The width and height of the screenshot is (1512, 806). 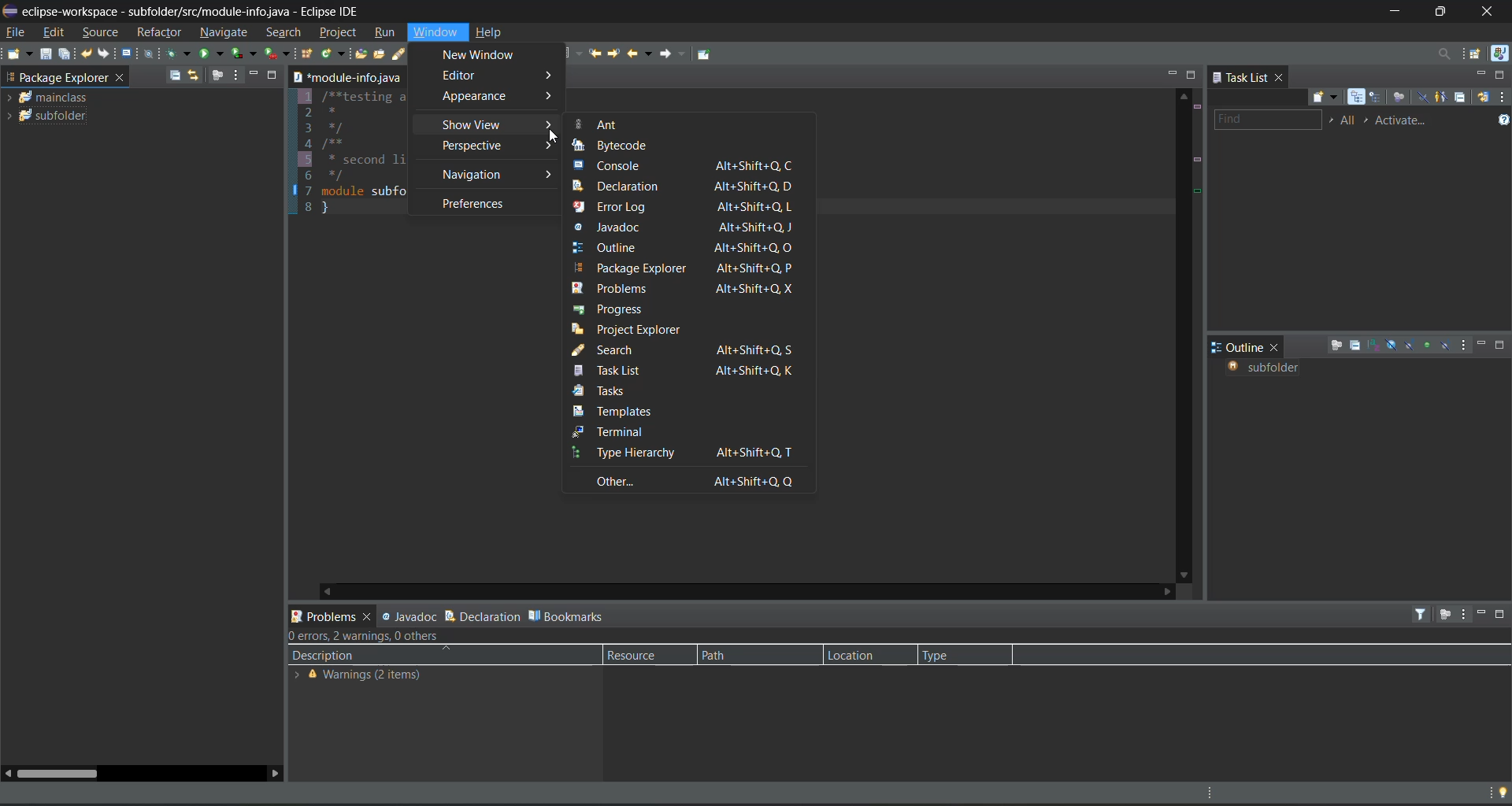 What do you see at coordinates (621, 146) in the screenshot?
I see `bytecode` at bounding box center [621, 146].